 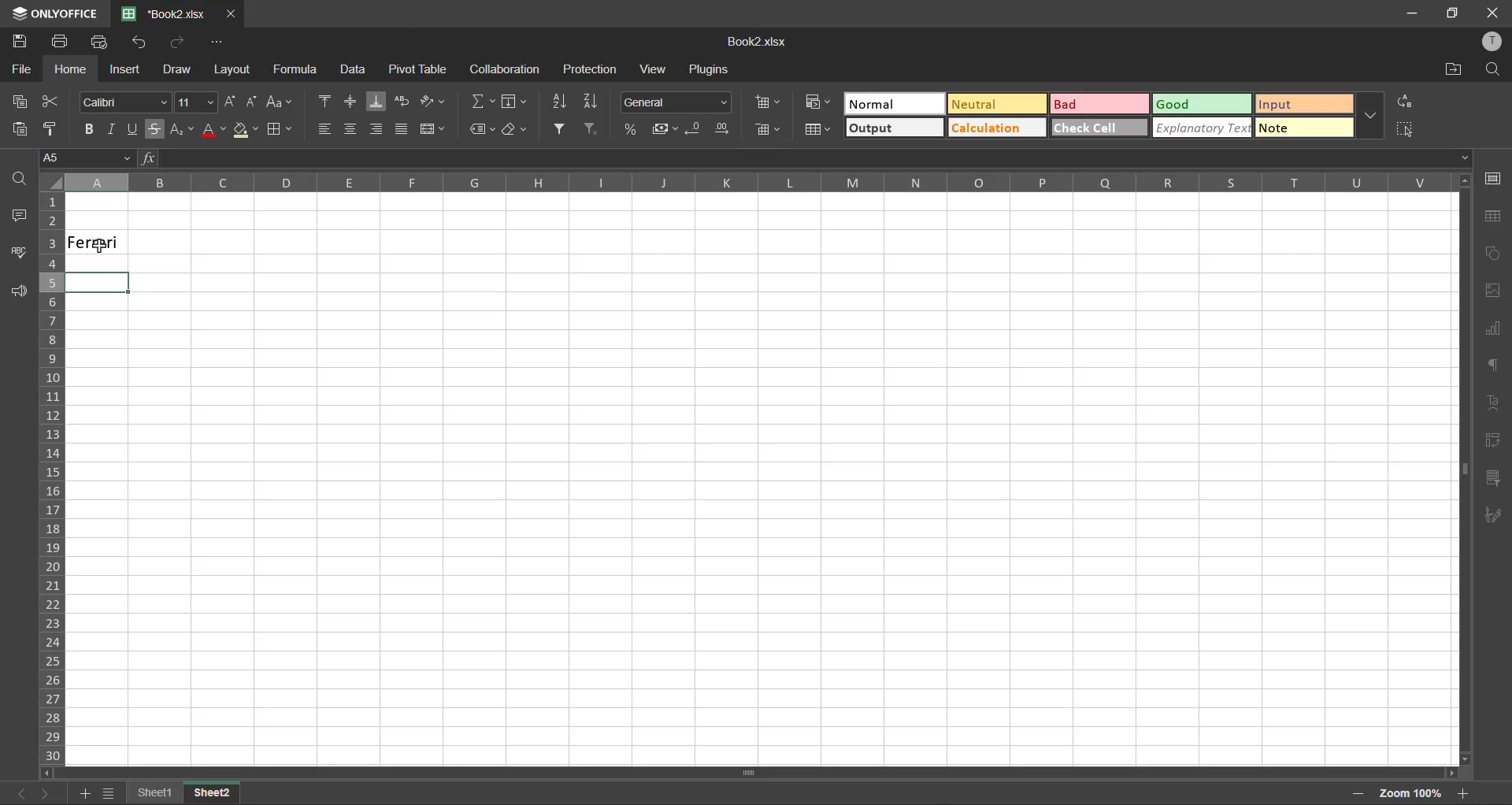 I want to click on align middle, so click(x=348, y=102).